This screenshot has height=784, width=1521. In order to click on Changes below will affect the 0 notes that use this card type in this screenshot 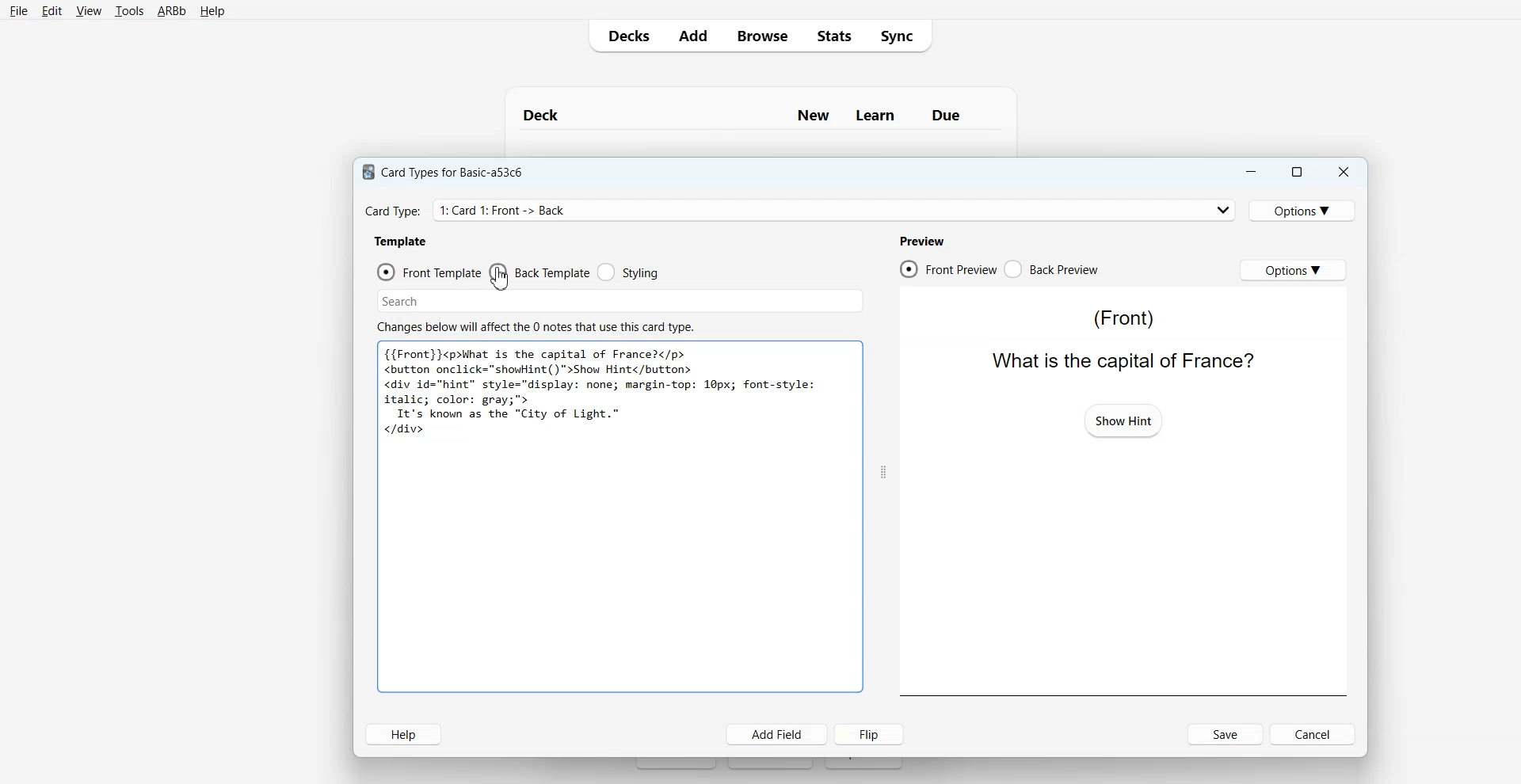, I will do `click(542, 327)`.